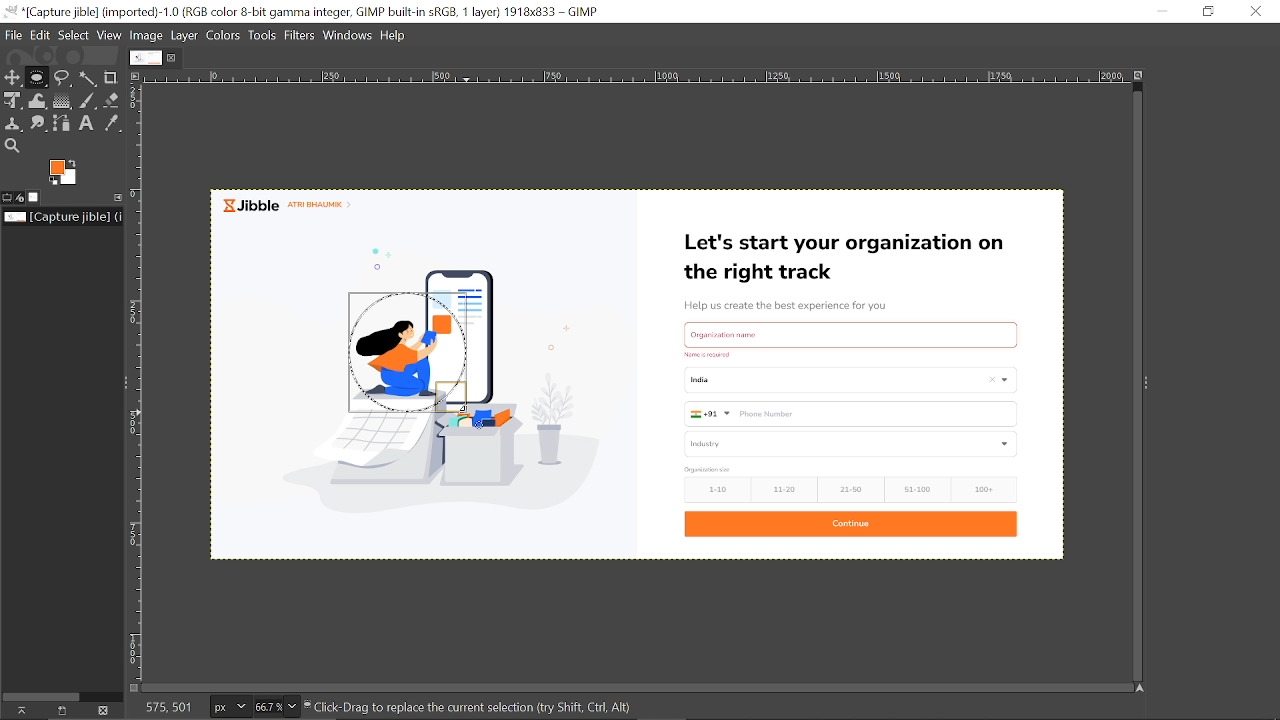  I want to click on Sidebar menu, so click(120, 381).